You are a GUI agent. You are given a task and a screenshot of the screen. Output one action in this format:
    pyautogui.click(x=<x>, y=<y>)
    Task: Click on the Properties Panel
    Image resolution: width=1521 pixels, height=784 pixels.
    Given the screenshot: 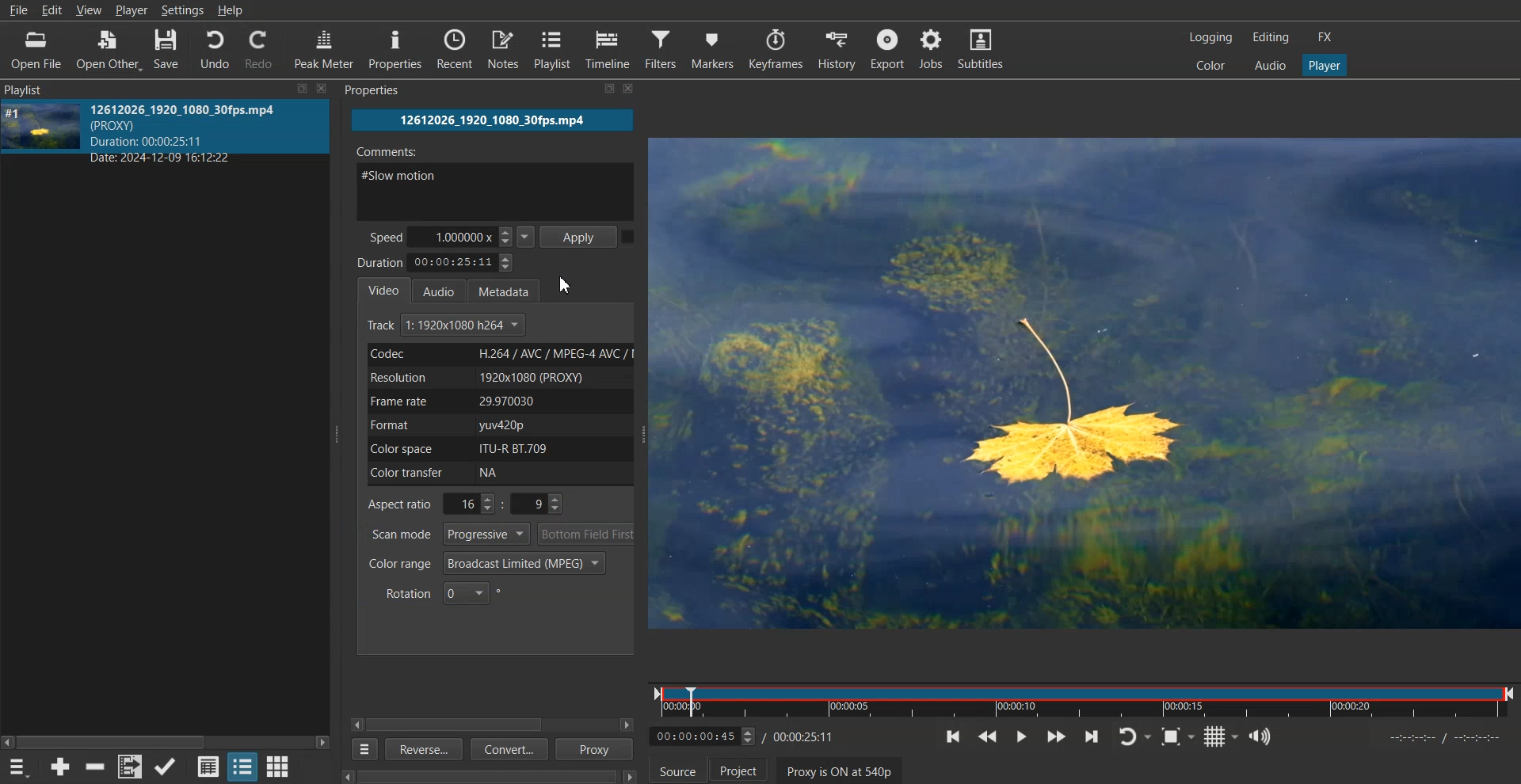 What is the action you would take?
    pyautogui.click(x=376, y=90)
    